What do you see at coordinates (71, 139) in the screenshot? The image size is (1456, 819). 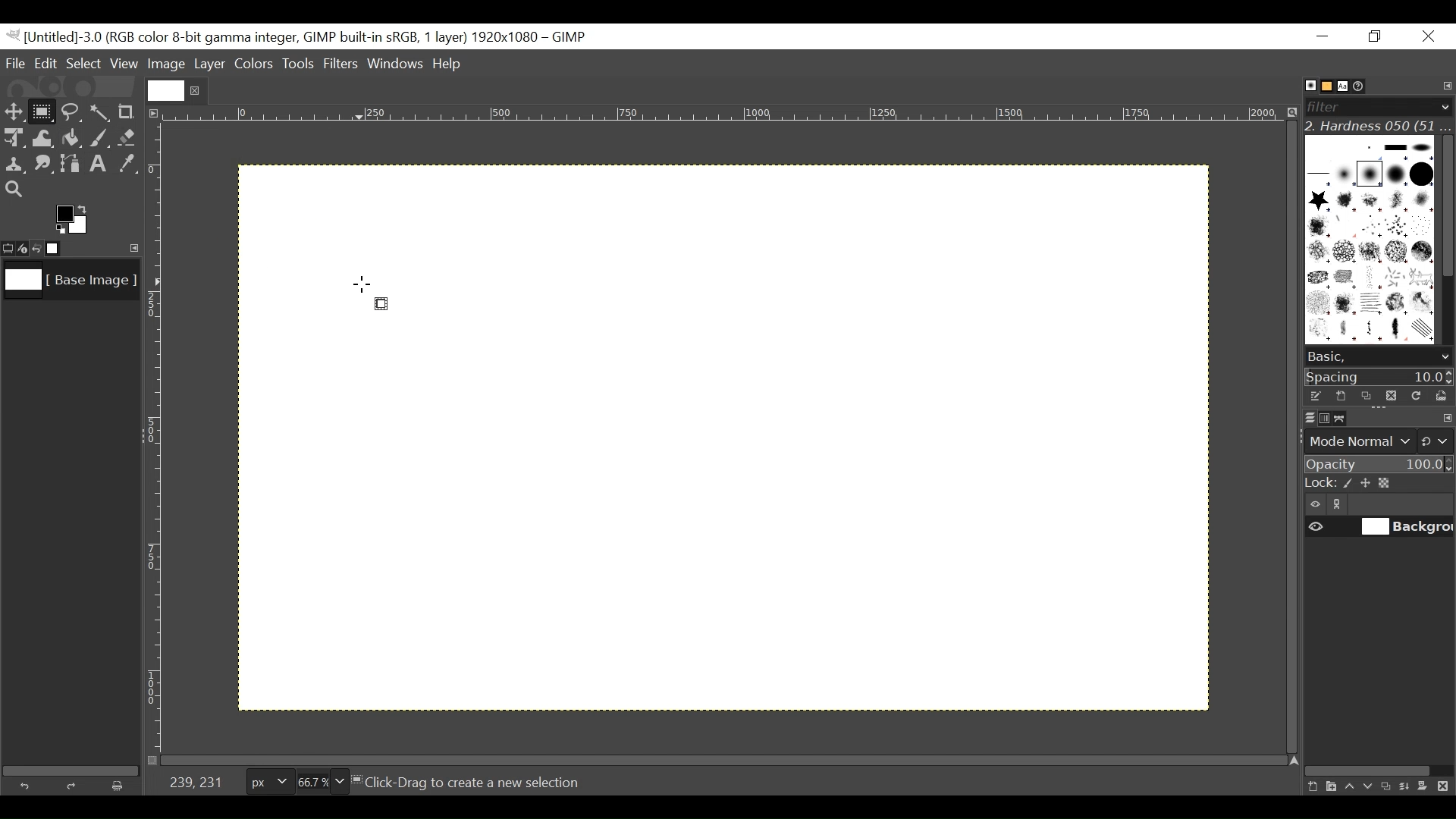 I see `Bucket Fill tool` at bounding box center [71, 139].